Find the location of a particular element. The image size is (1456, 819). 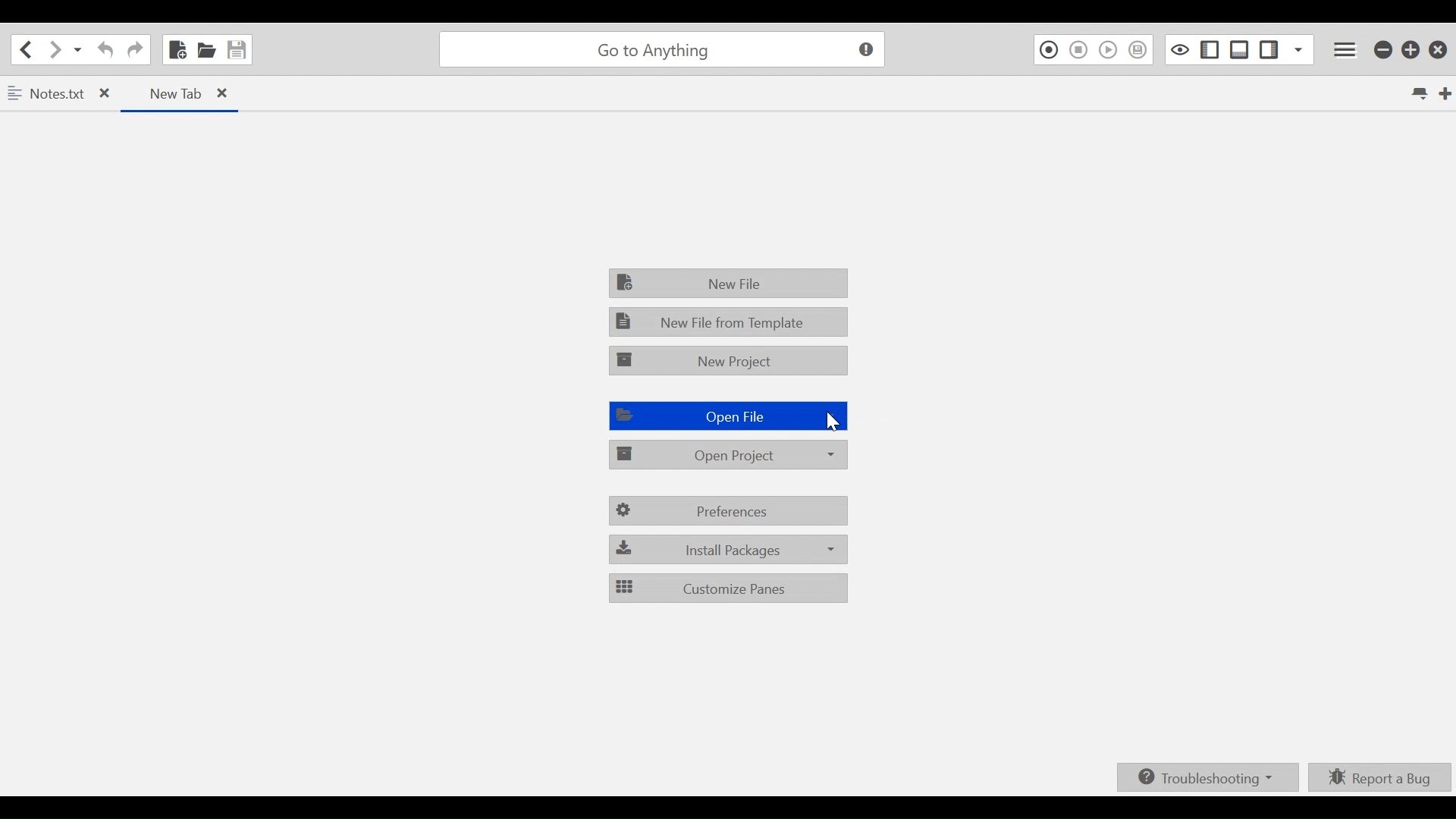

Troubleshooting is located at coordinates (1207, 777).